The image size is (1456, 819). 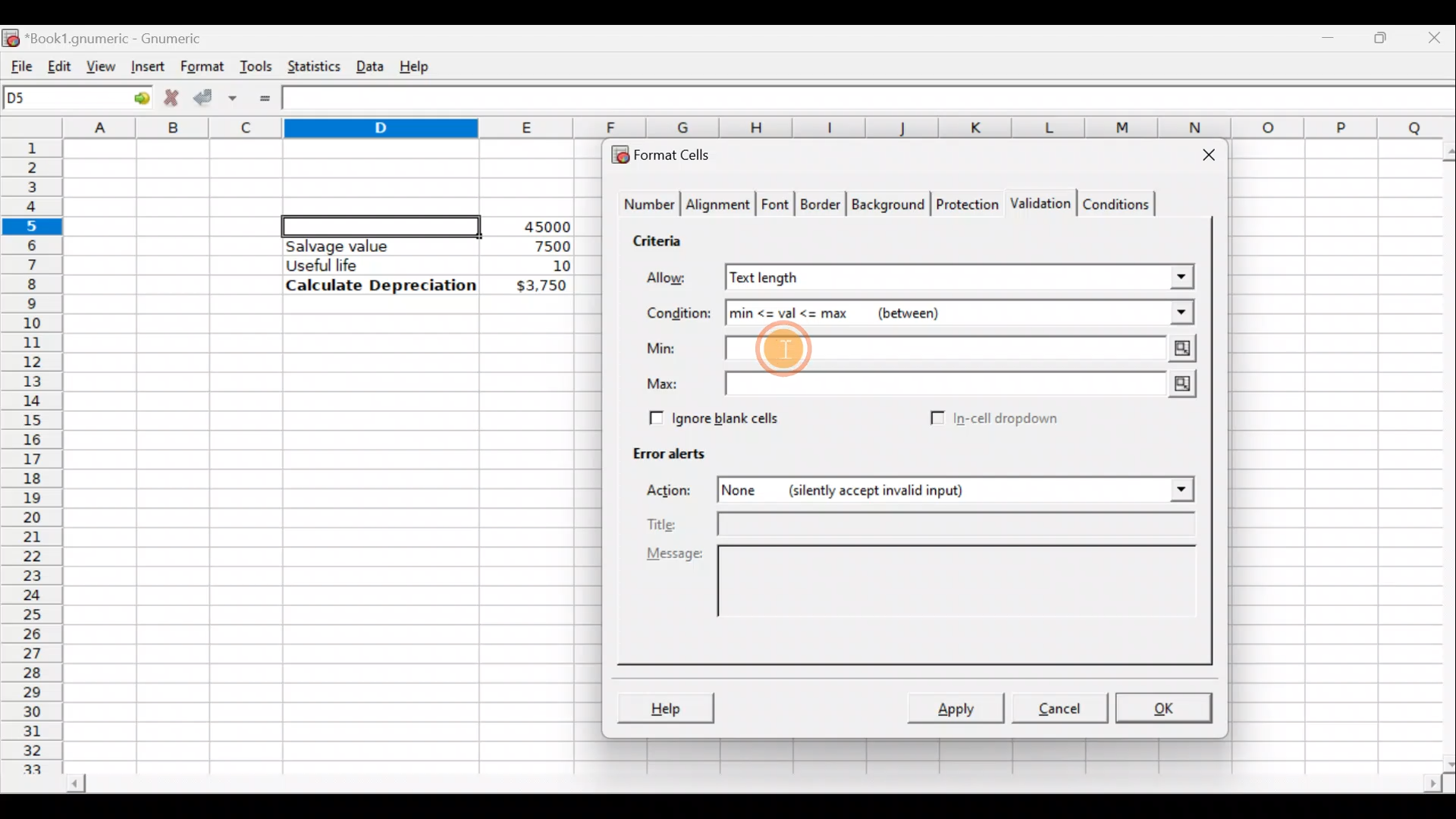 I want to click on Insert, so click(x=146, y=66).